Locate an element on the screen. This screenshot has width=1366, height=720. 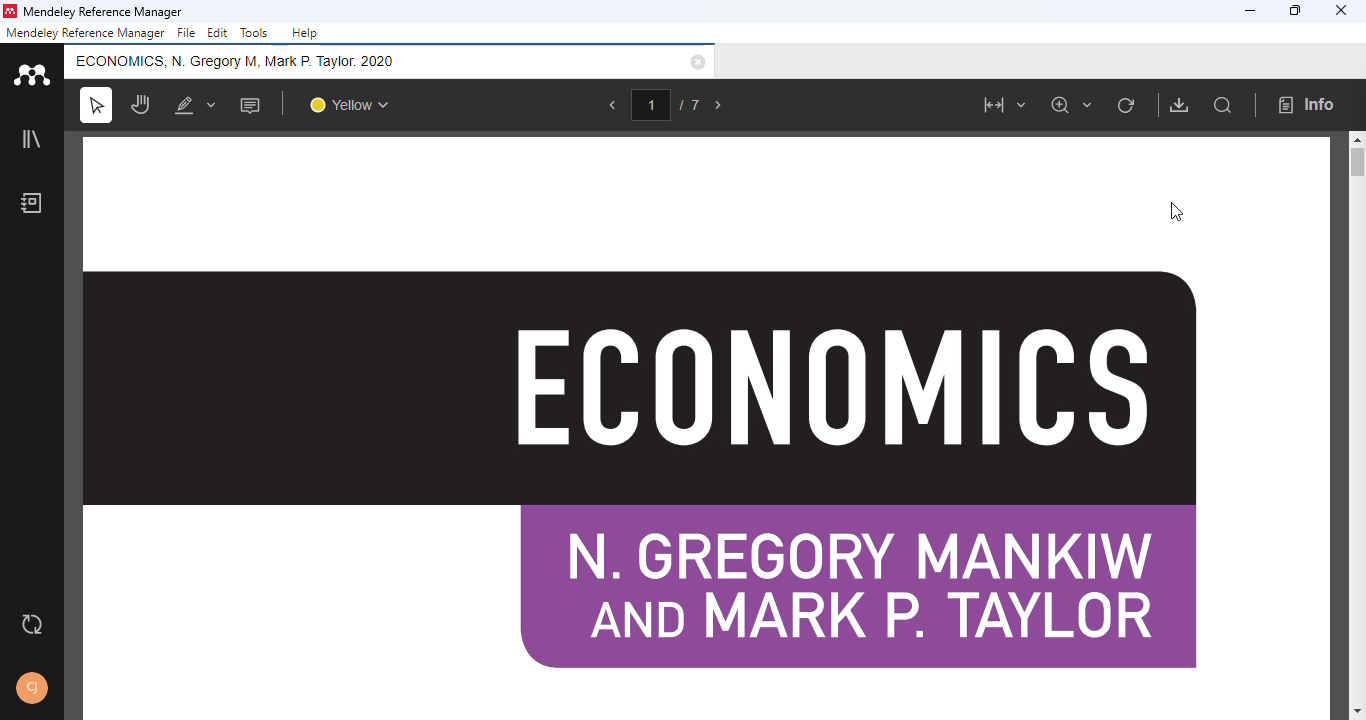
cancel/remove is located at coordinates (698, 62).